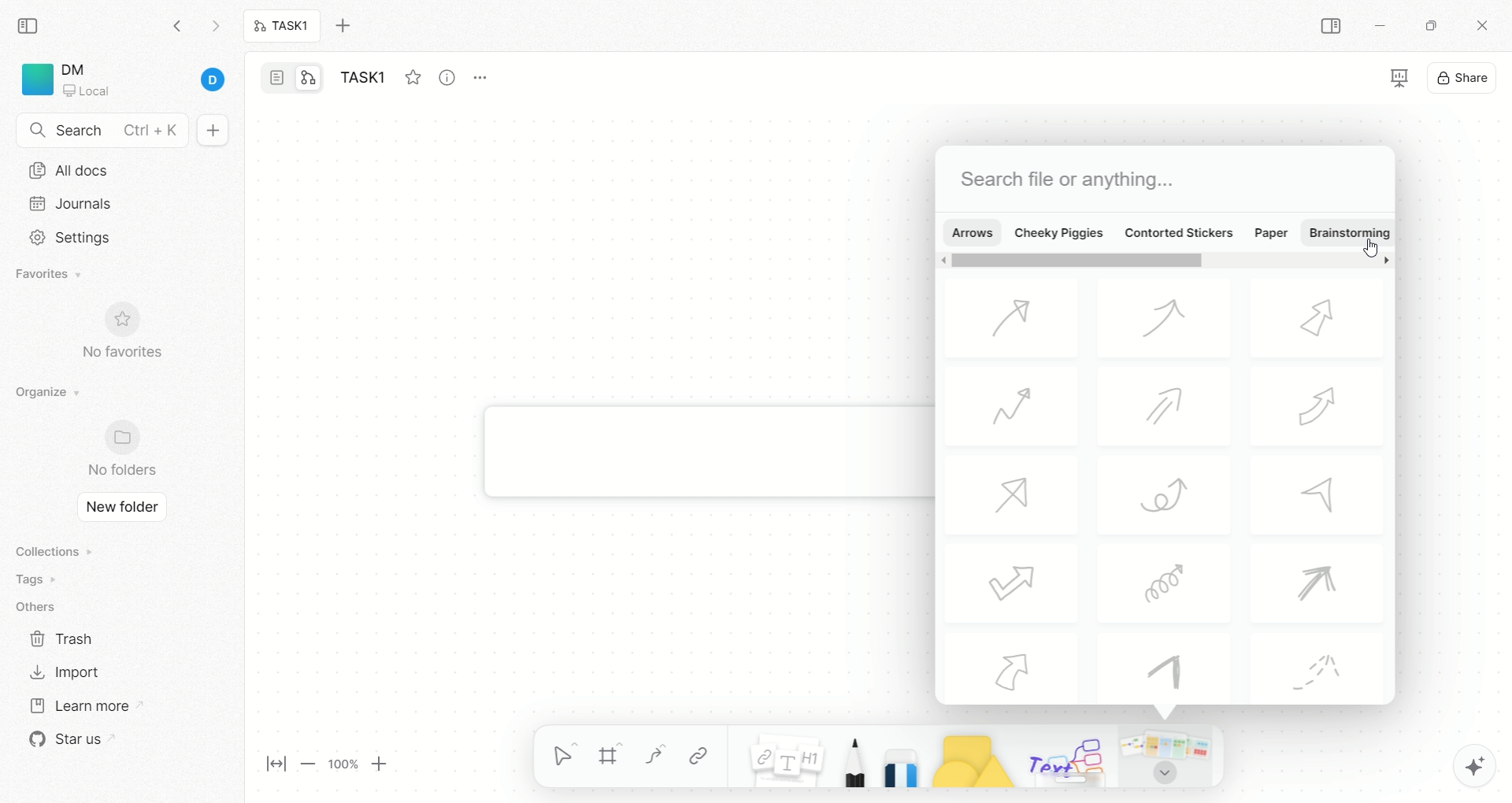 The height and width of the screenshot is (803, 1512). I want to click on arrows, so click(971, 231).